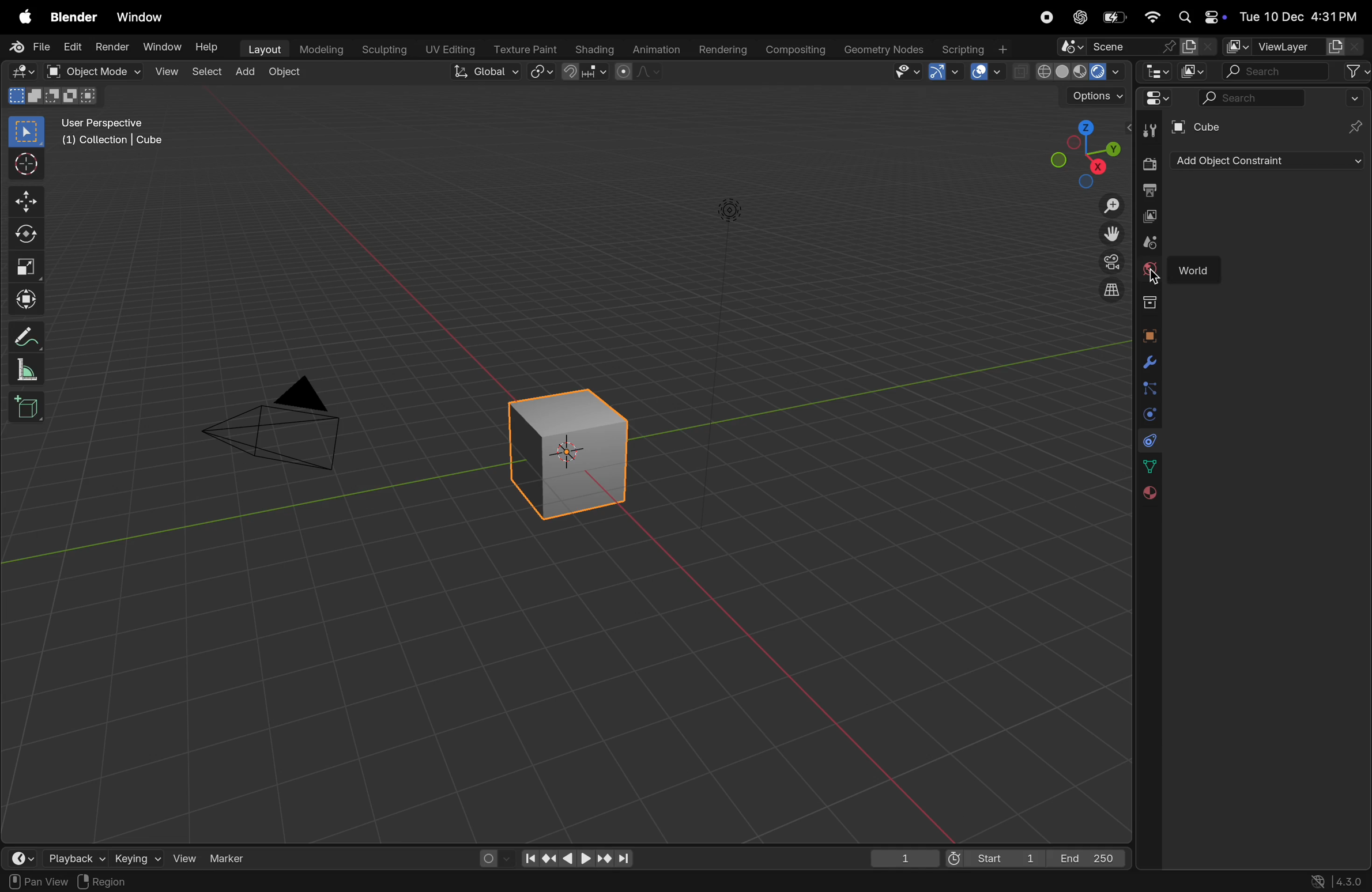  What do you see at coordinates (184, 856) in the screenshot?
I see `view` at bounding box center [184, 856].